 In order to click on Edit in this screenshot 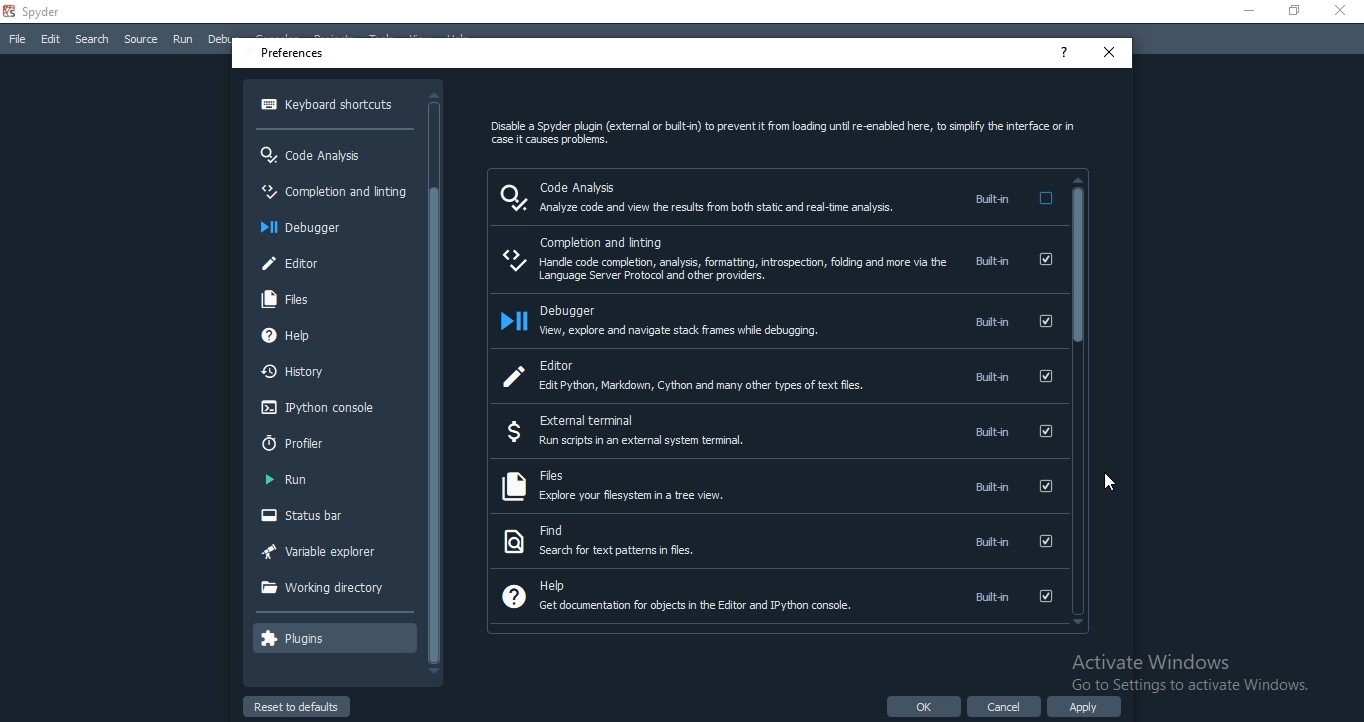, I will do `click(50, 40)`.